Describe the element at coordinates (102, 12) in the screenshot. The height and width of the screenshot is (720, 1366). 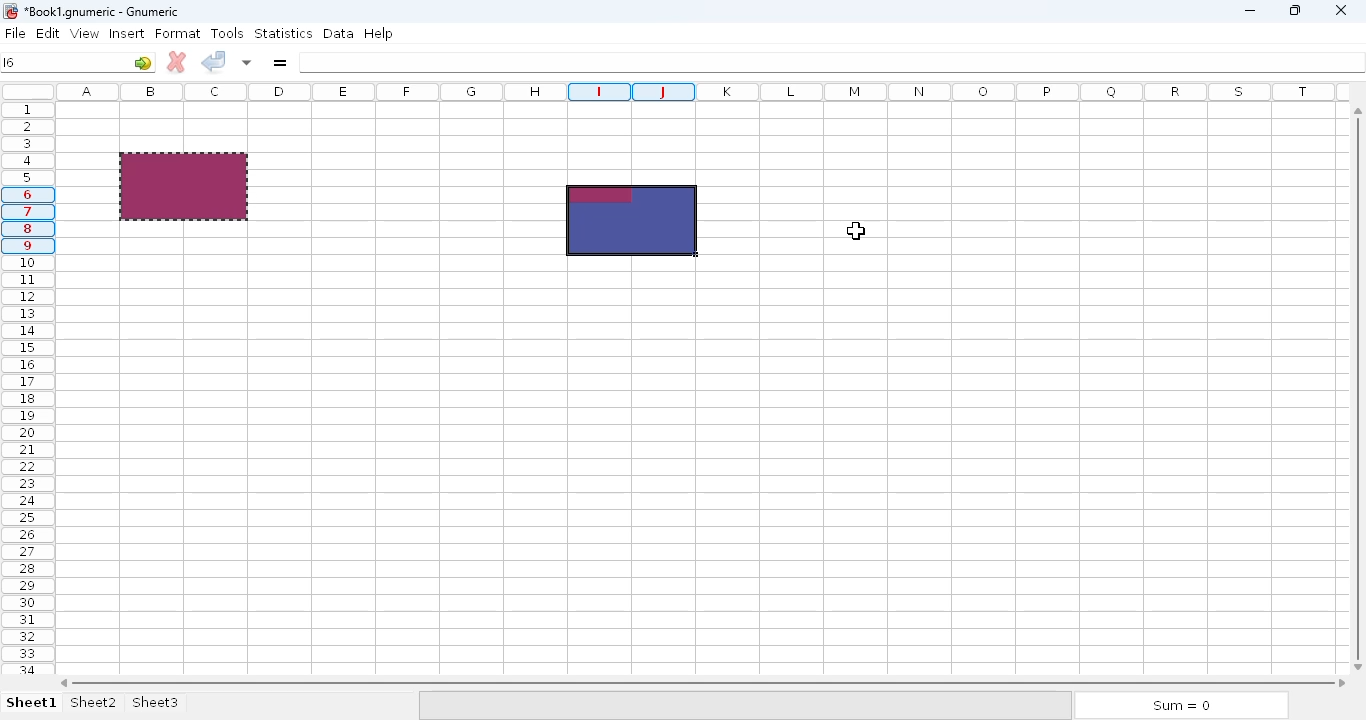
I see `Book1 numeric - Gnumeric` at that location.